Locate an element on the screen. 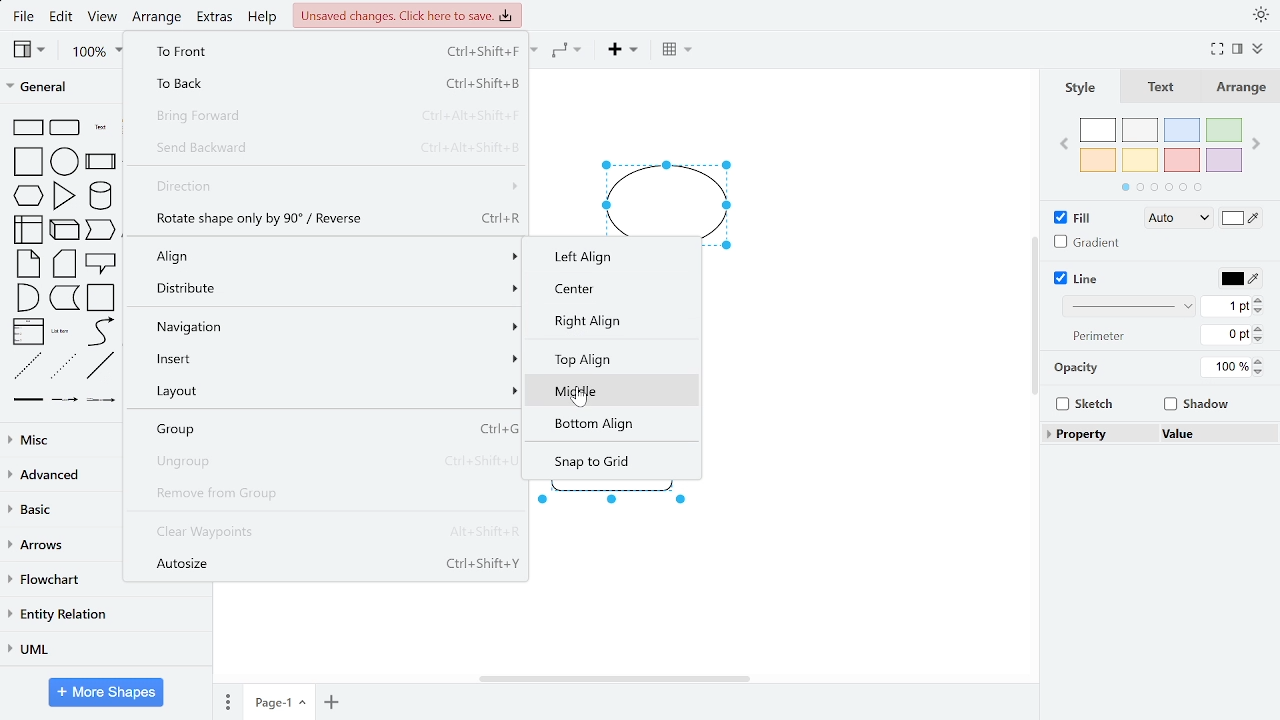 The height and width of the screenshot is (720, 1280). ash is located at coordinates (1140, 129).